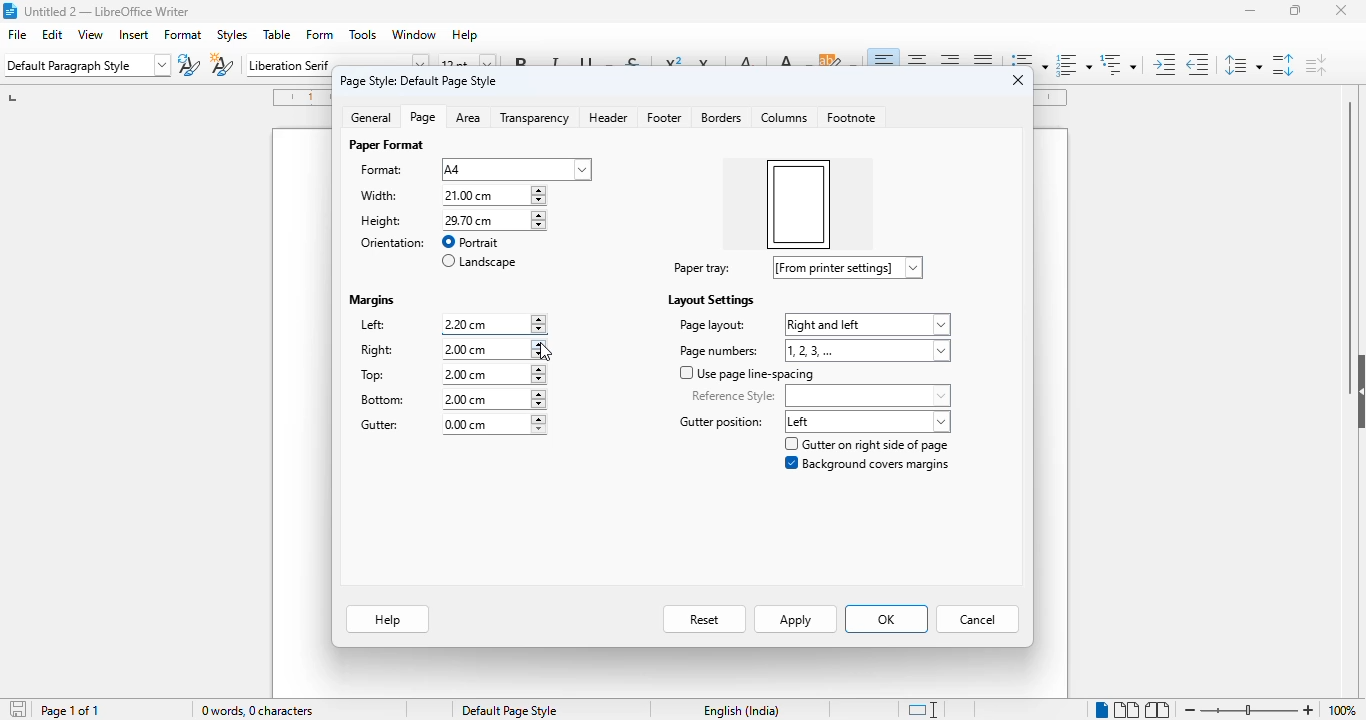  Describe the element at coordinates (608, 117) in the screenshot. I see `header` at that location.